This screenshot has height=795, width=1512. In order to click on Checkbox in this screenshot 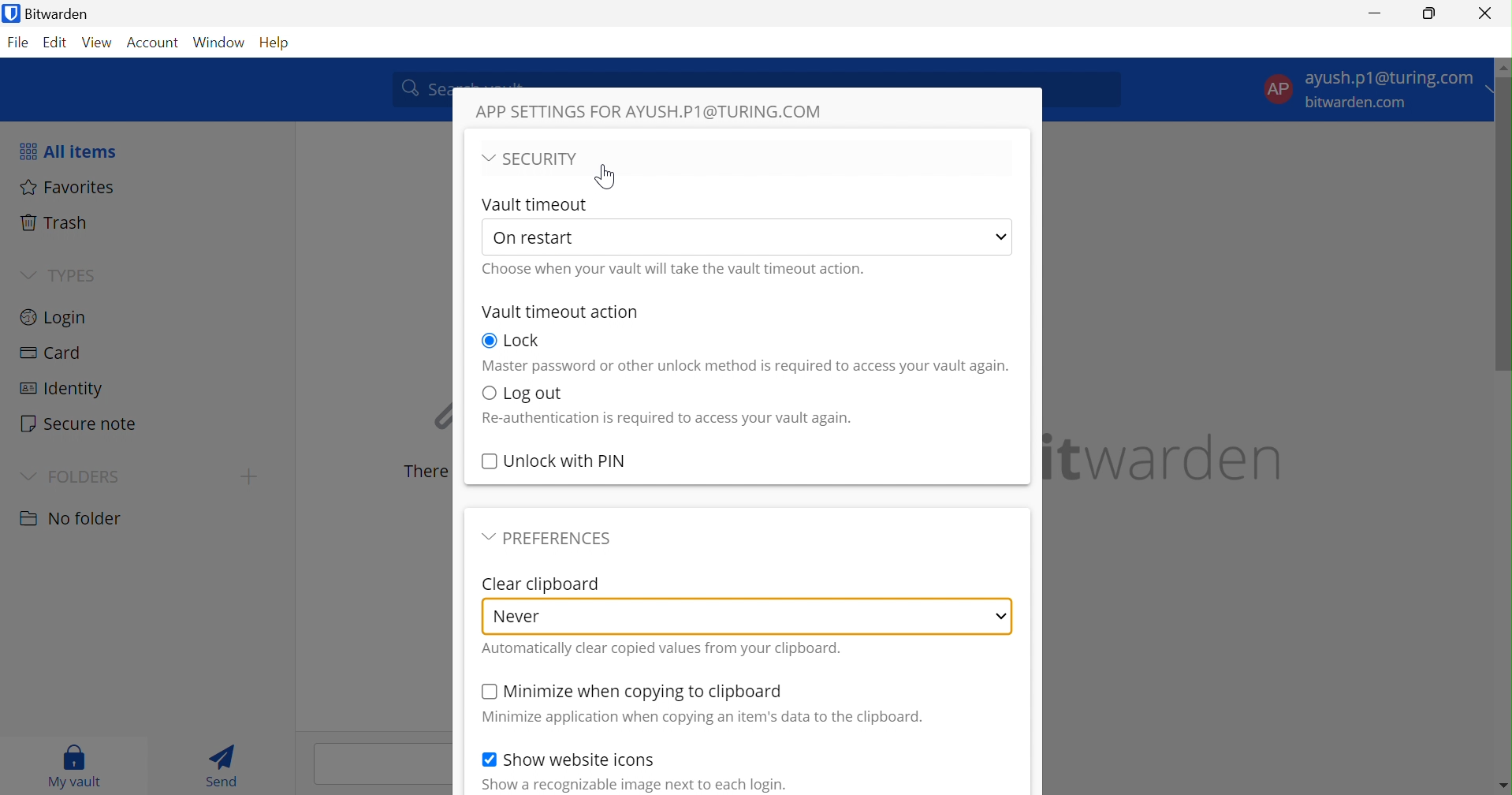, I will do `click(486, 760)`.